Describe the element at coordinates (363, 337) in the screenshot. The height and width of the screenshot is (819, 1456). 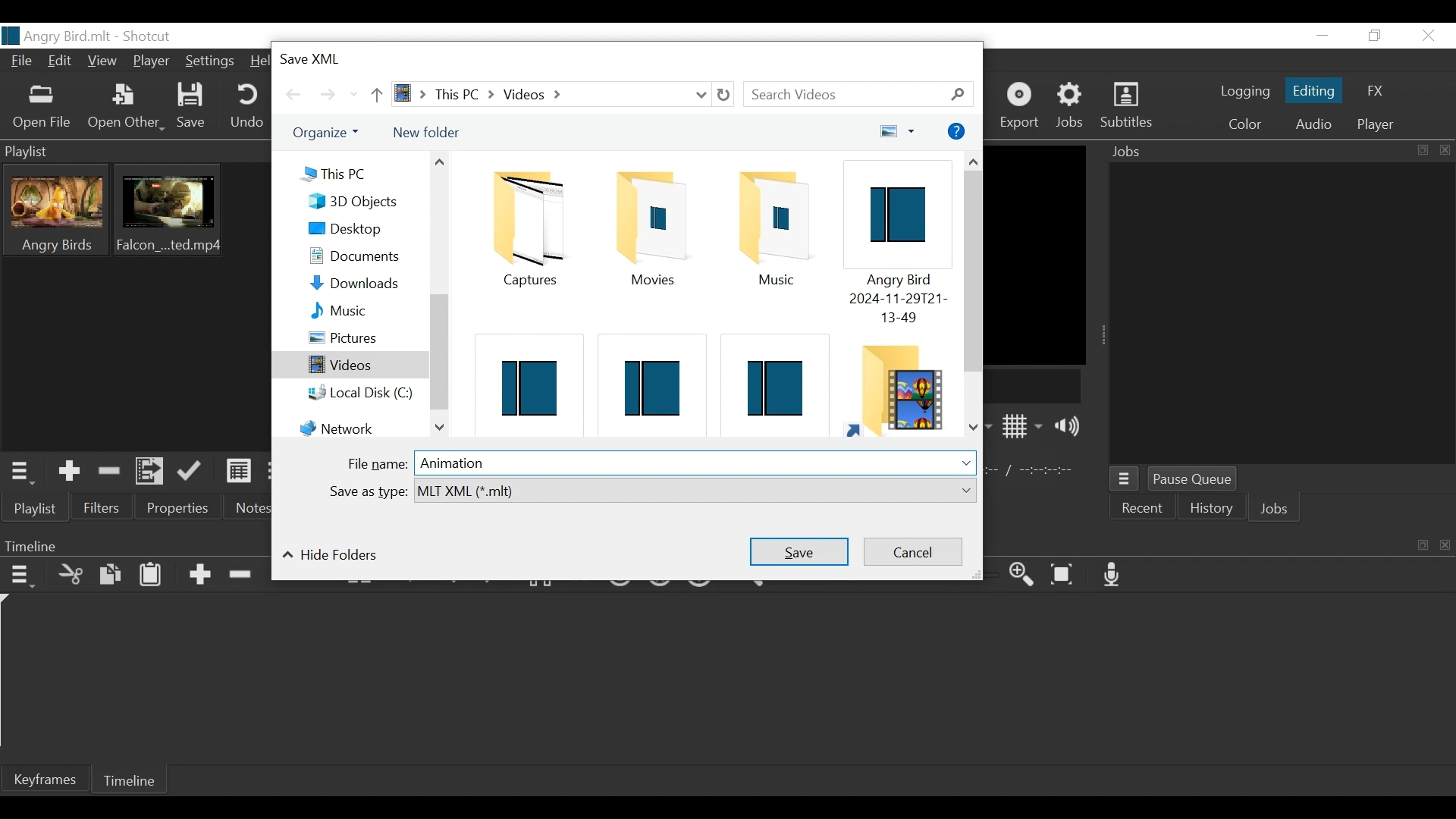
I see `Pictures` at that location.